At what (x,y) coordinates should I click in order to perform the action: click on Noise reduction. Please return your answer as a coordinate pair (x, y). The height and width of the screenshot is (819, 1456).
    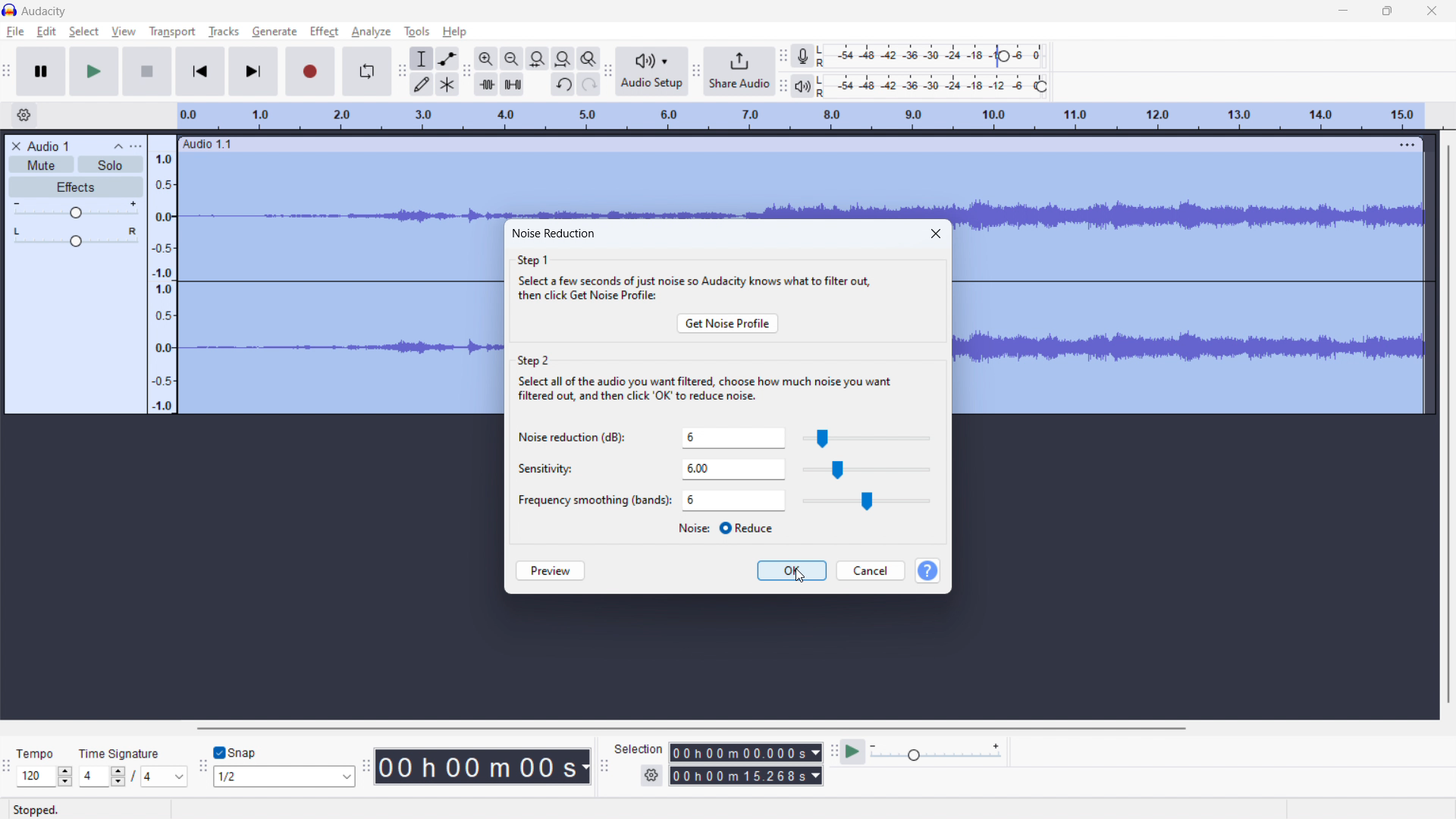
    Looking at the image, I should click on (573, 438).